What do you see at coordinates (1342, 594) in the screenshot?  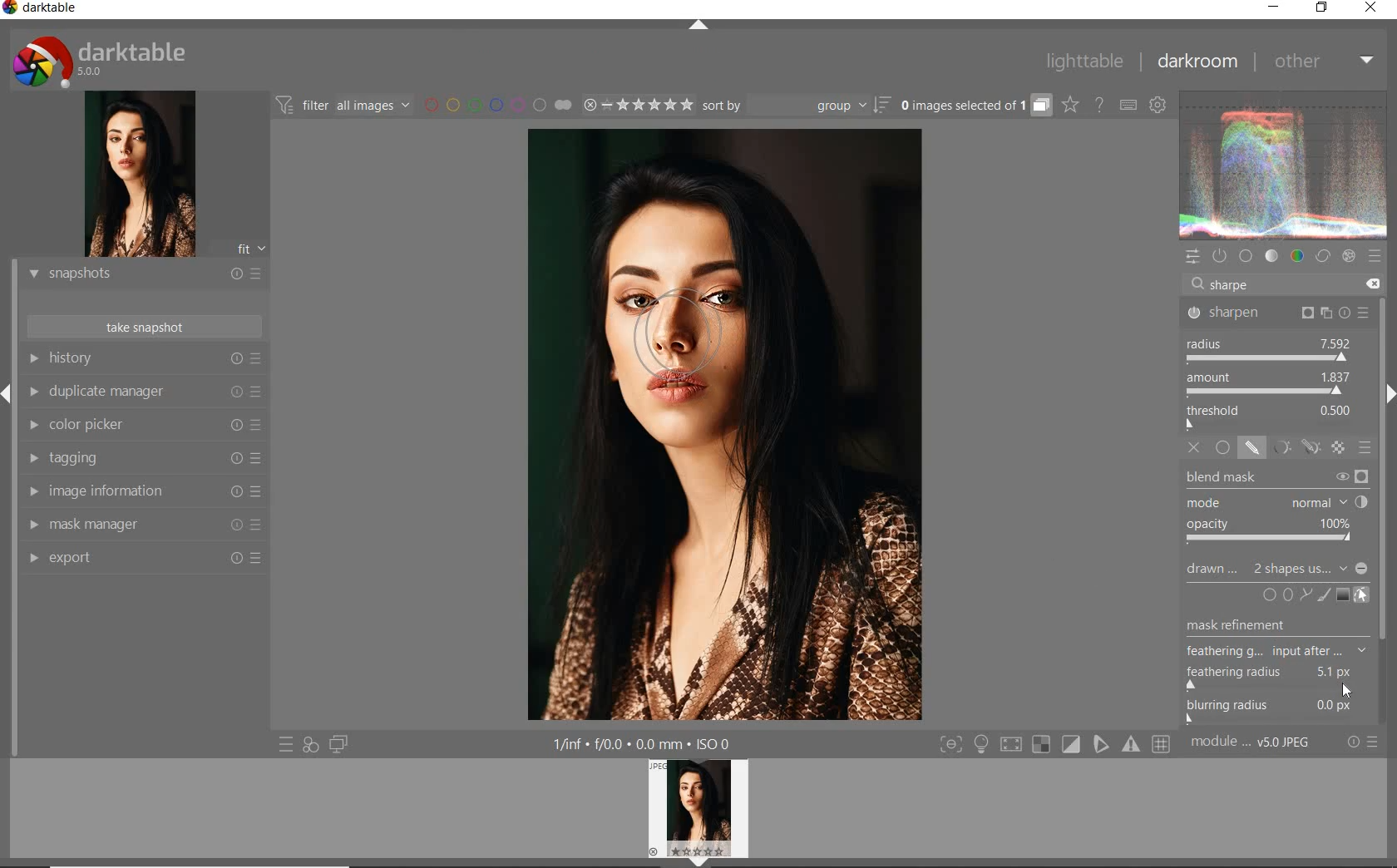 I see `ADD GRADIENT` at bounding box center [1342, 594].